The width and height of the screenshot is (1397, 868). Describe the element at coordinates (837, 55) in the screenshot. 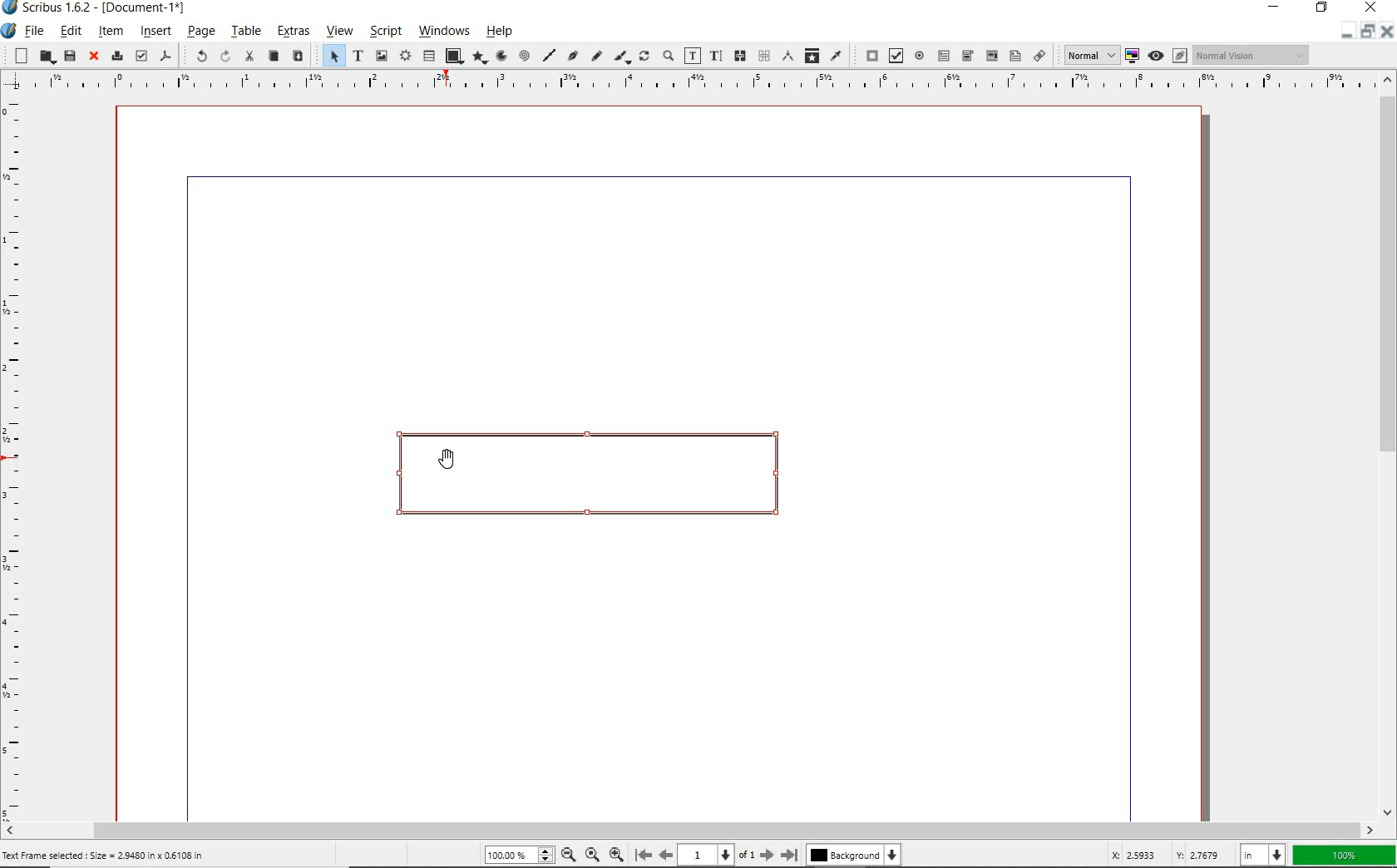

I see `eye dropper` at that location.